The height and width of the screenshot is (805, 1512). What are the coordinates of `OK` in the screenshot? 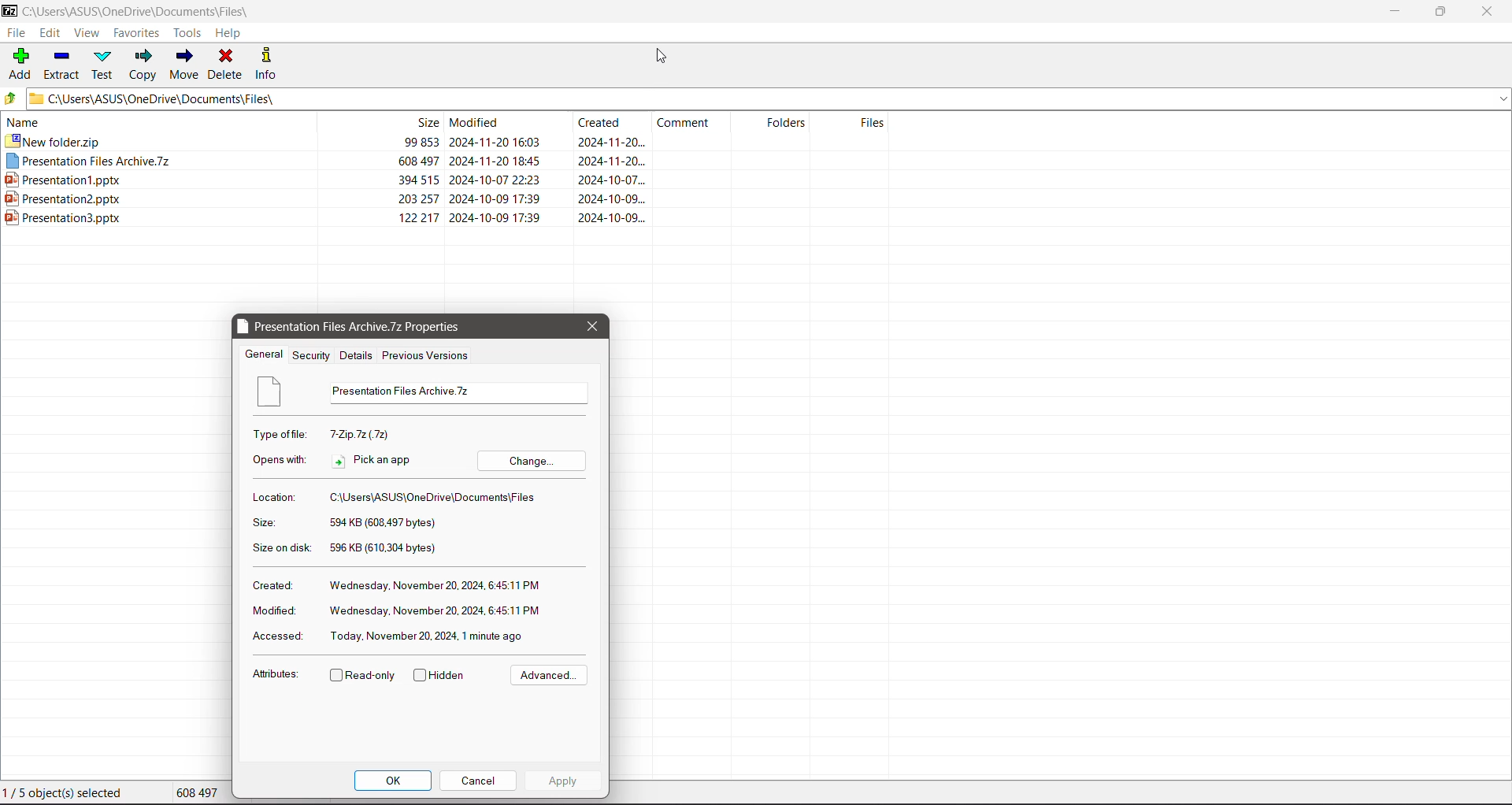 It's located at (395, 781).